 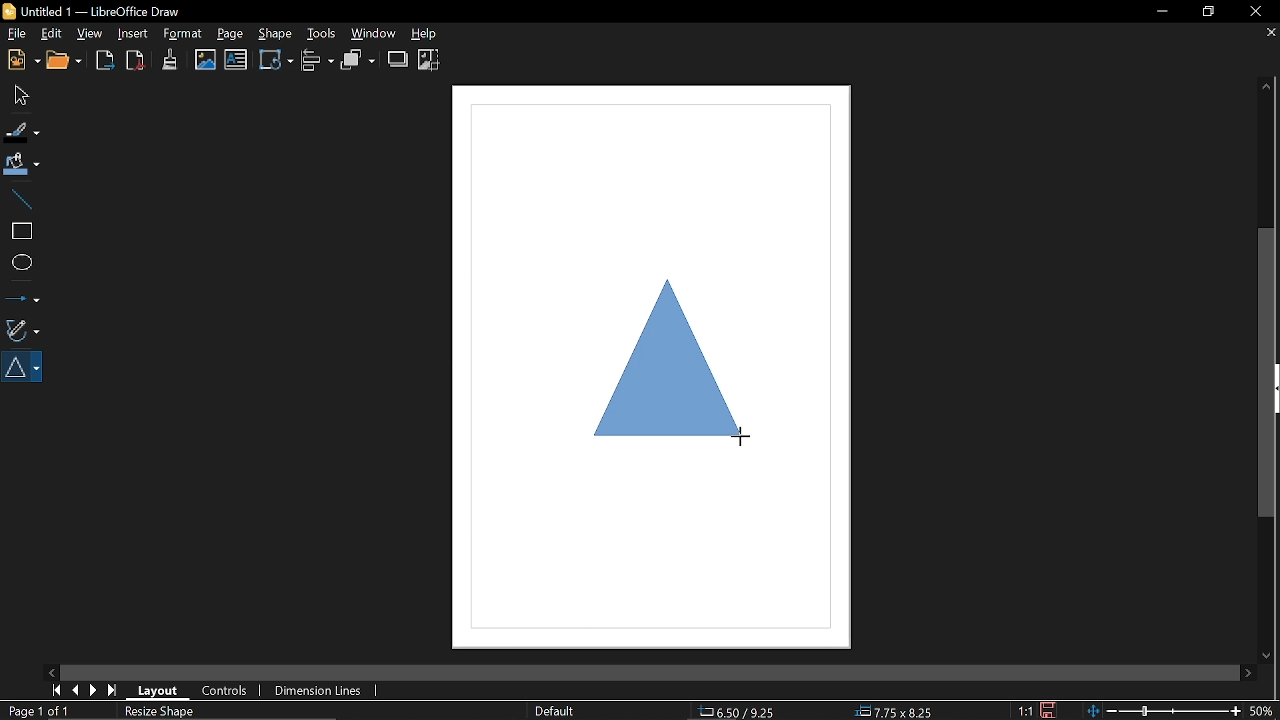 What do you see at coordinates (68, 62) in the screenshot?
I see `Open` at bounding box center [68, 62].